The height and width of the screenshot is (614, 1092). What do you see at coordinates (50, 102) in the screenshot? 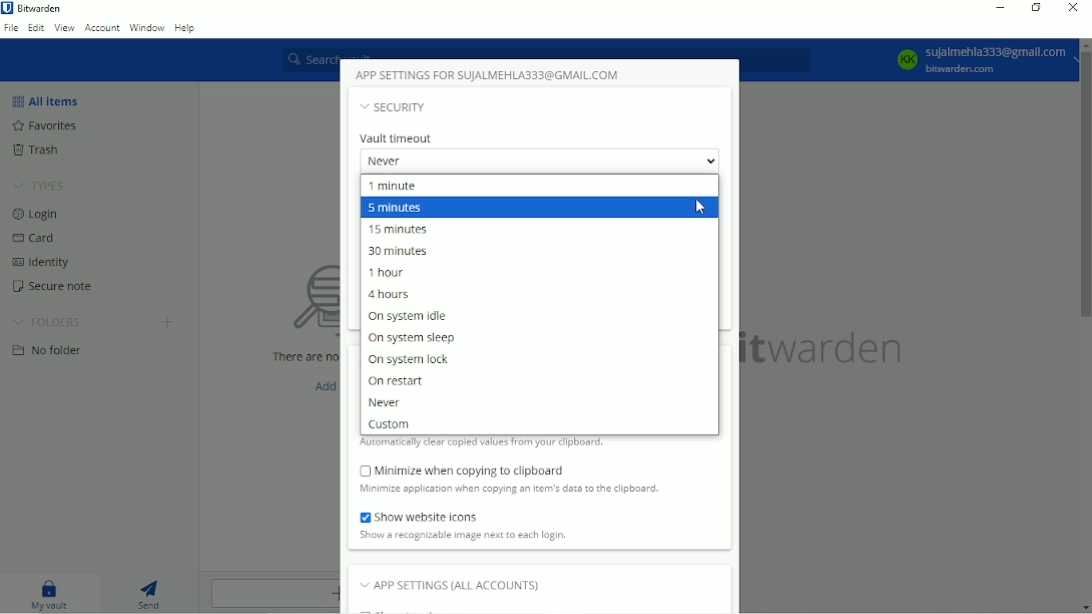
I see `All items` at bounding box center [50, 102].